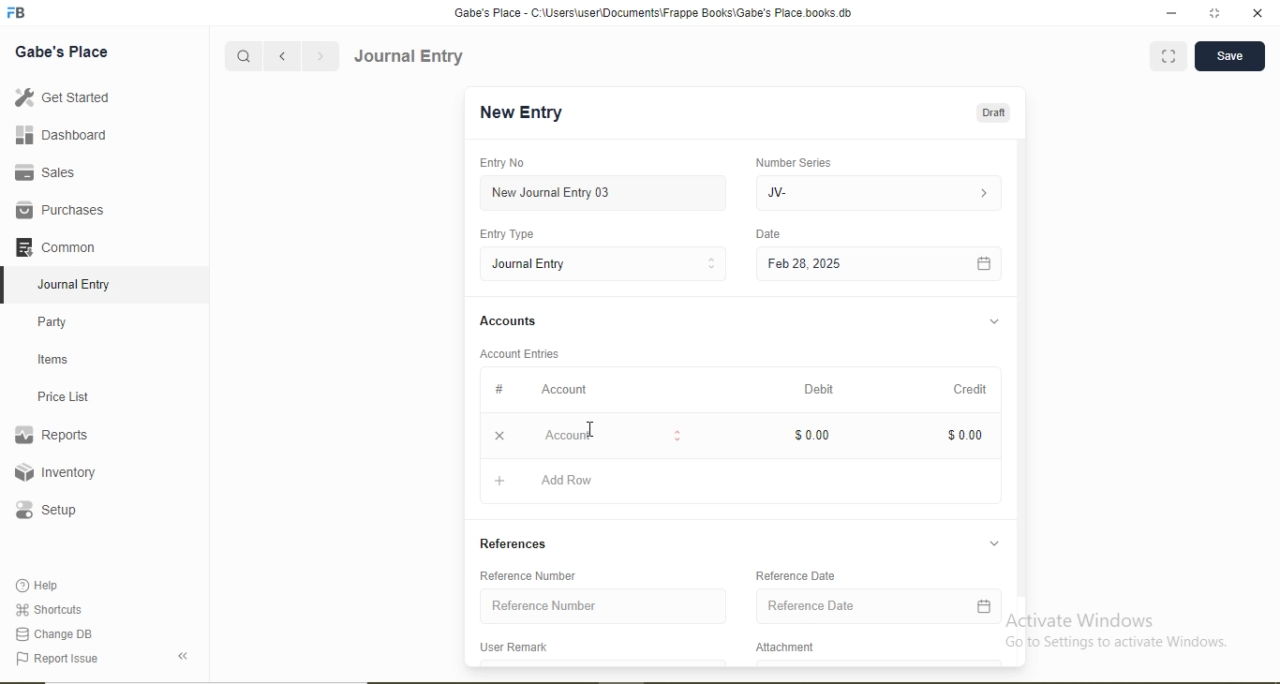  What do you see at coordinates (56, 472) in the screenshot?
I see `Inventory` at bounding box center [56, 472].